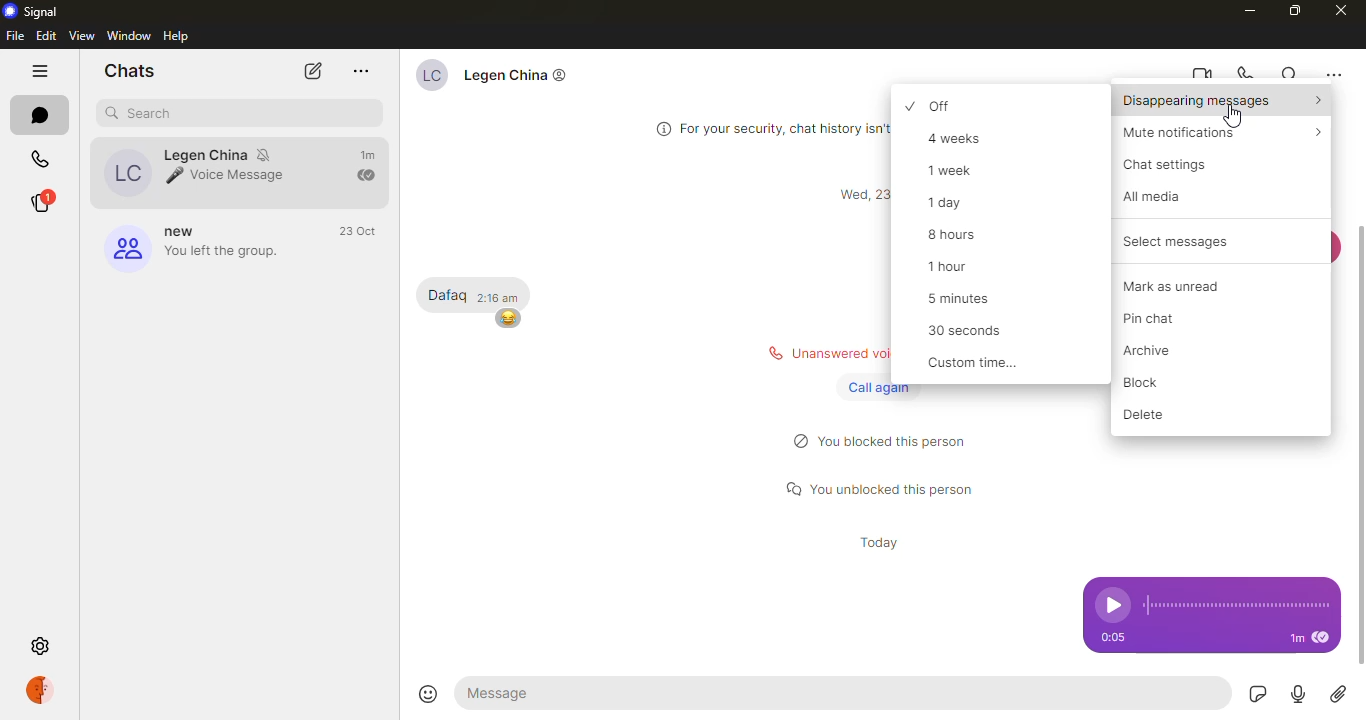  What do you see at coordinates (1151, 414) in the screenshot?
I see `delete` at bounding box center [1151, 414].